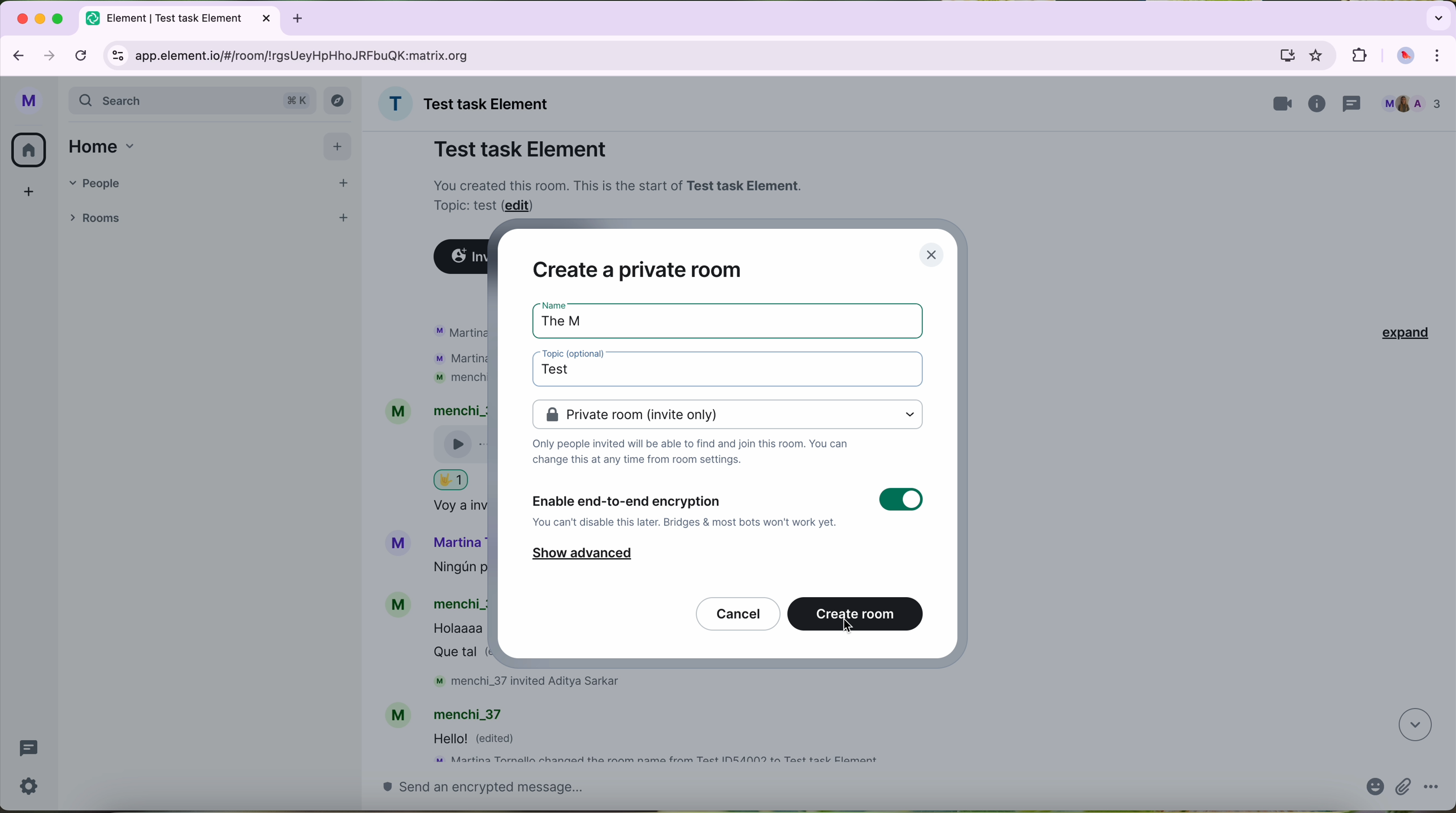 The height and width of the screenshot is (813, 1456). I want to click on profile, so click(29, 103).